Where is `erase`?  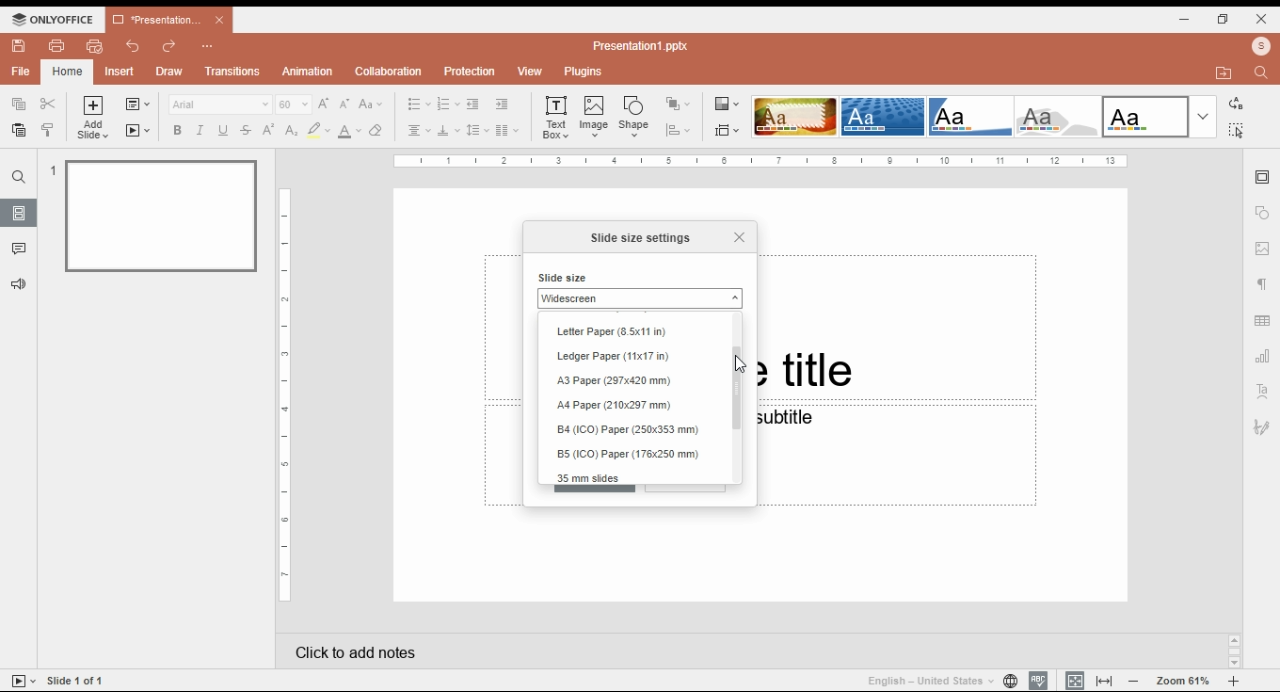 erase is located at coordinates (377, 131).